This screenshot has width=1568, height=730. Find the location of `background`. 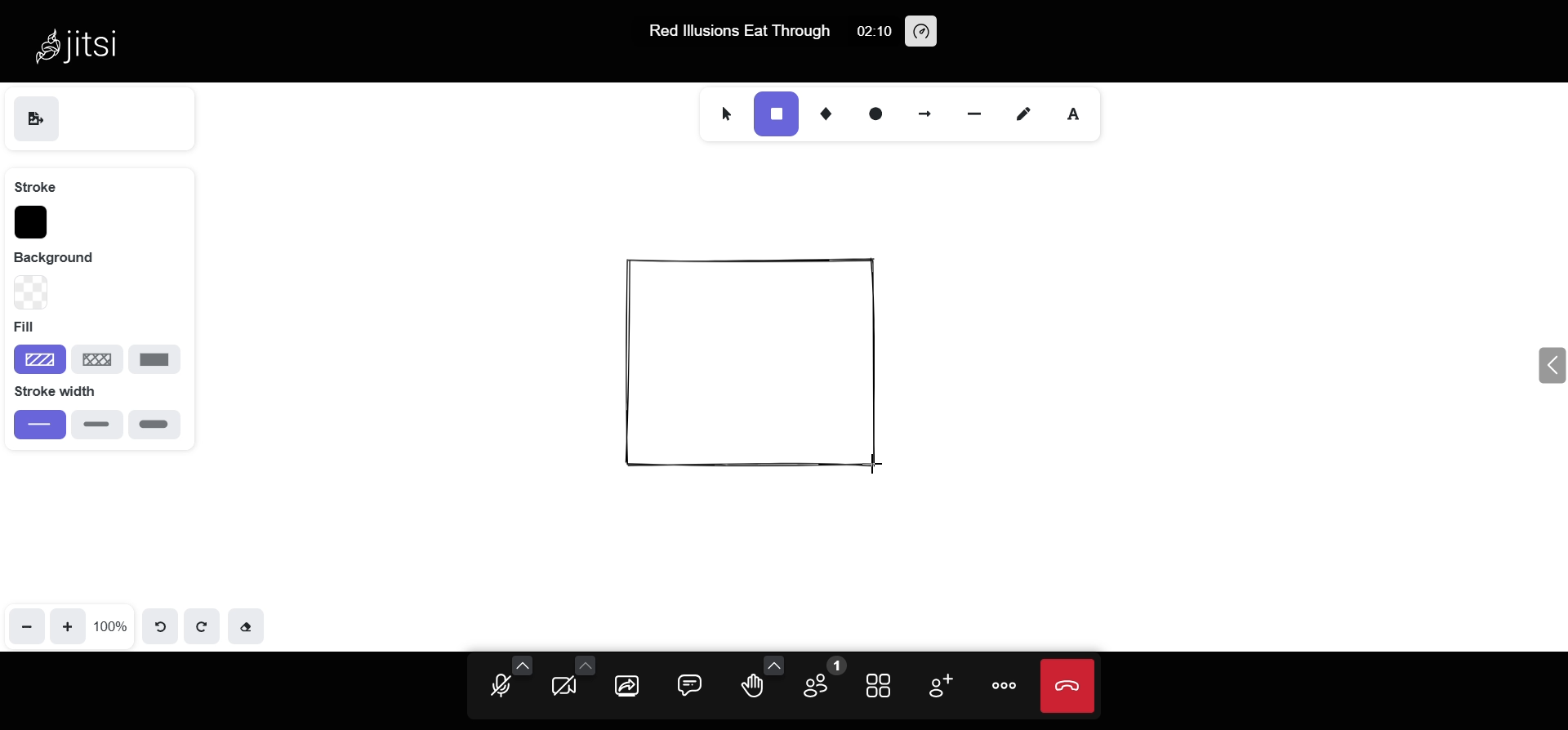

background is located at coordinates (67, 256).